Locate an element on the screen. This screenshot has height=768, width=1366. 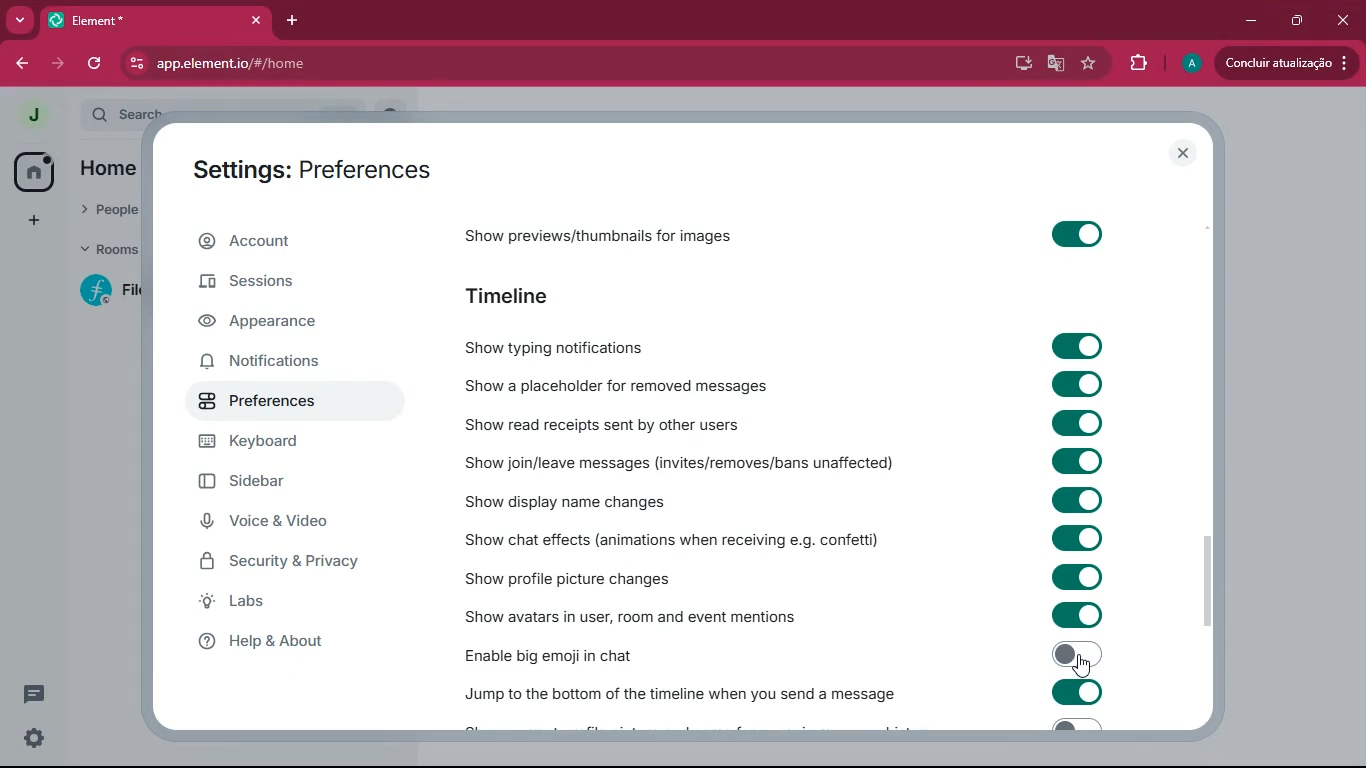
element* is located at coordinates (114, 19).